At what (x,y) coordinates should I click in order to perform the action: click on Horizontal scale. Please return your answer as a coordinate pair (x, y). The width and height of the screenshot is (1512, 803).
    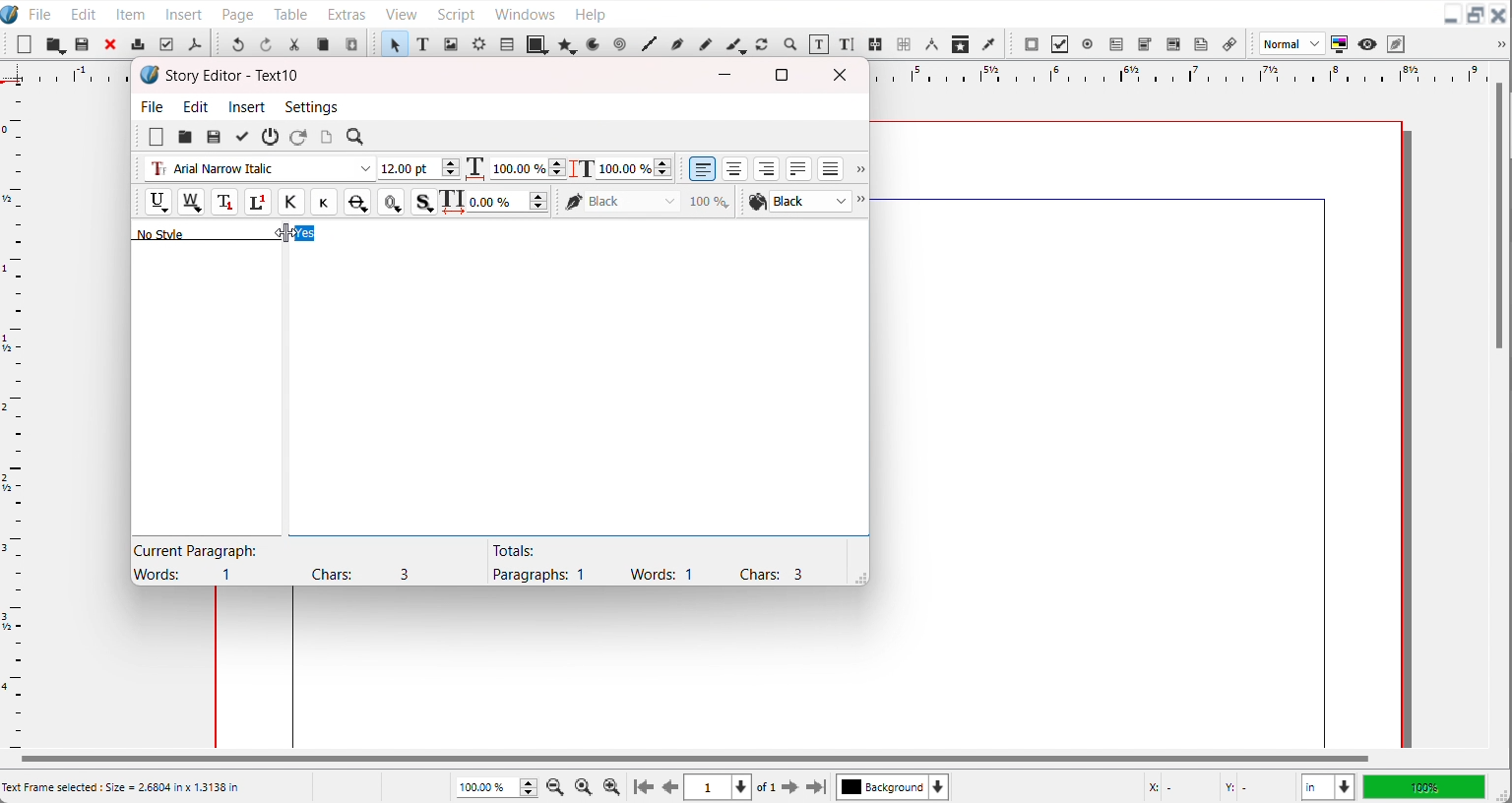
    Looking at the image, I should click on (1173, 73).